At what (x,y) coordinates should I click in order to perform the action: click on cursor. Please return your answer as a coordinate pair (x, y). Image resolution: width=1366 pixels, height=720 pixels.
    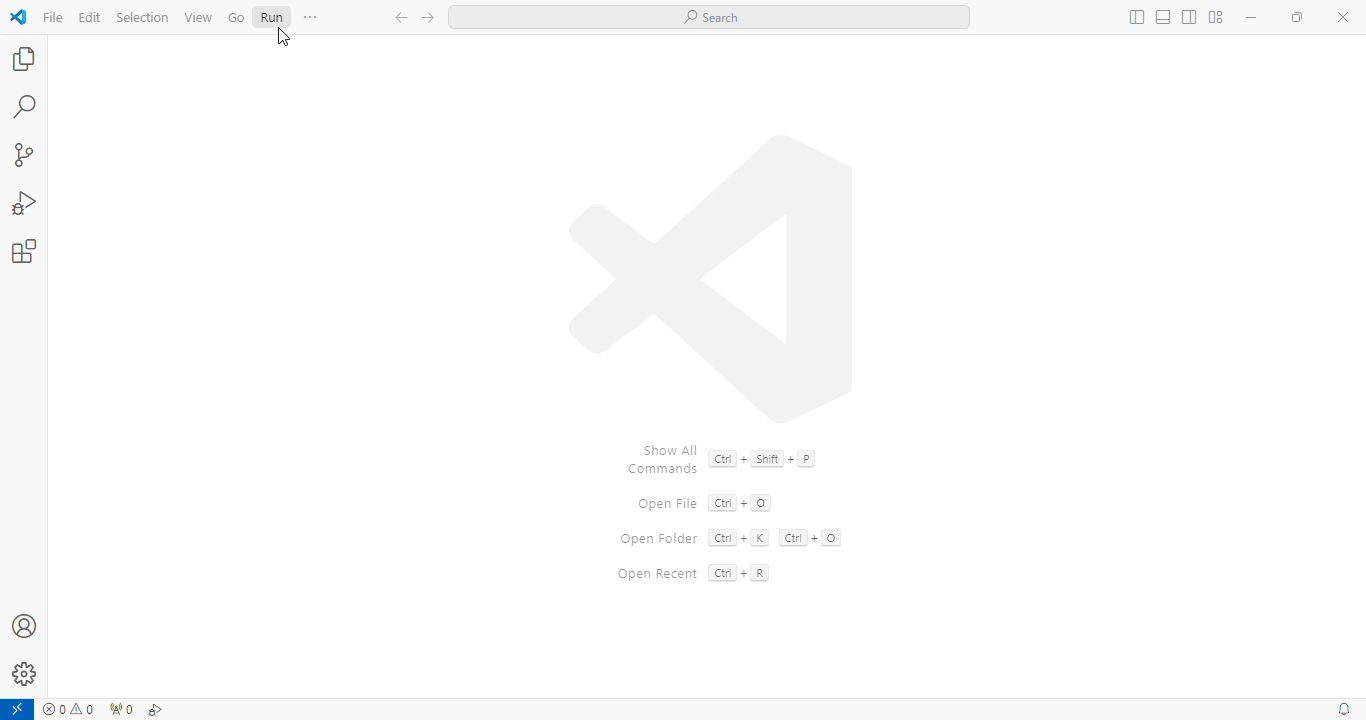
    Looking at the image, I should click on (284, 38).